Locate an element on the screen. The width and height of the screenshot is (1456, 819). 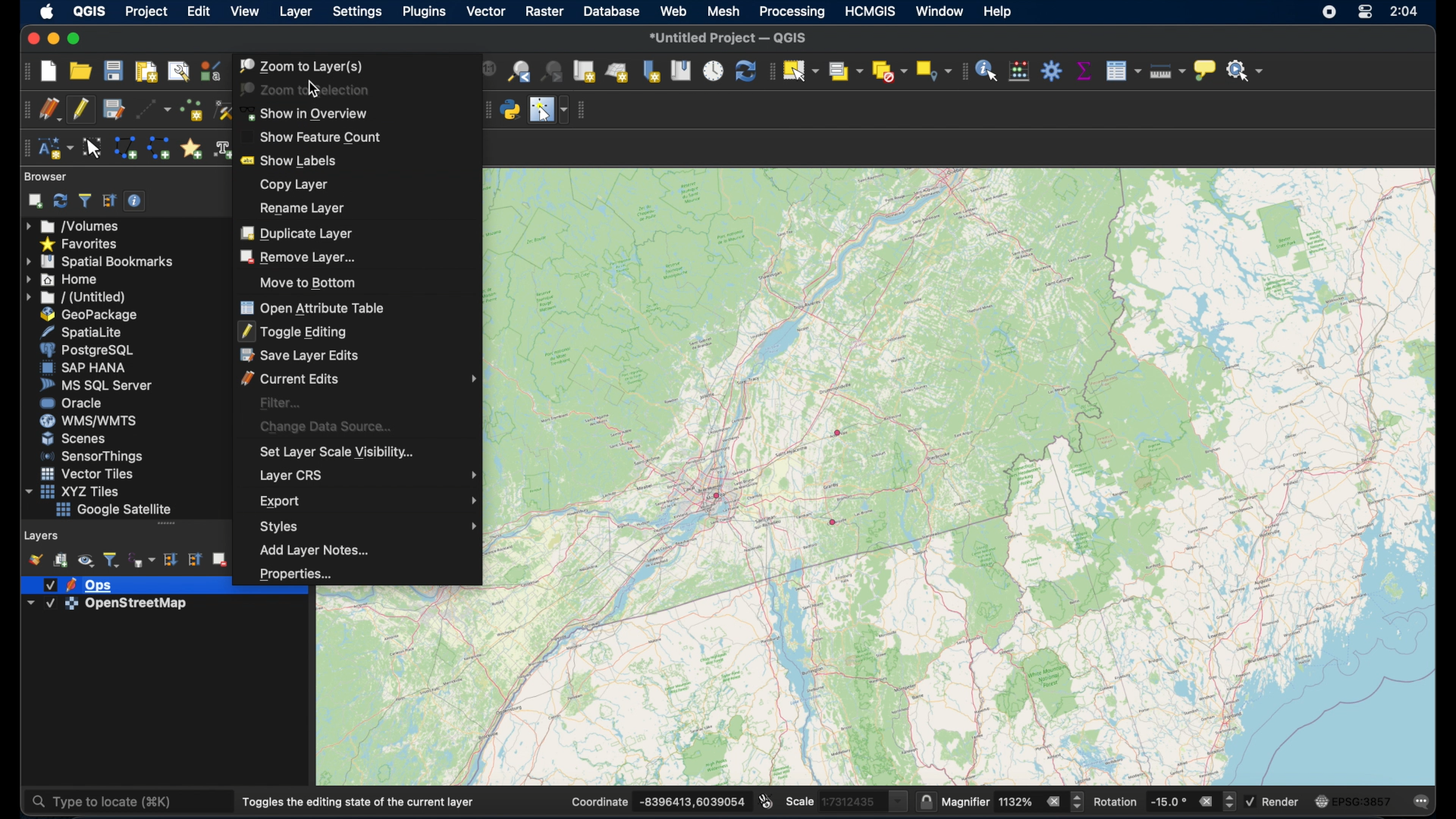
vector tiles is located at coordinates (84, 473).